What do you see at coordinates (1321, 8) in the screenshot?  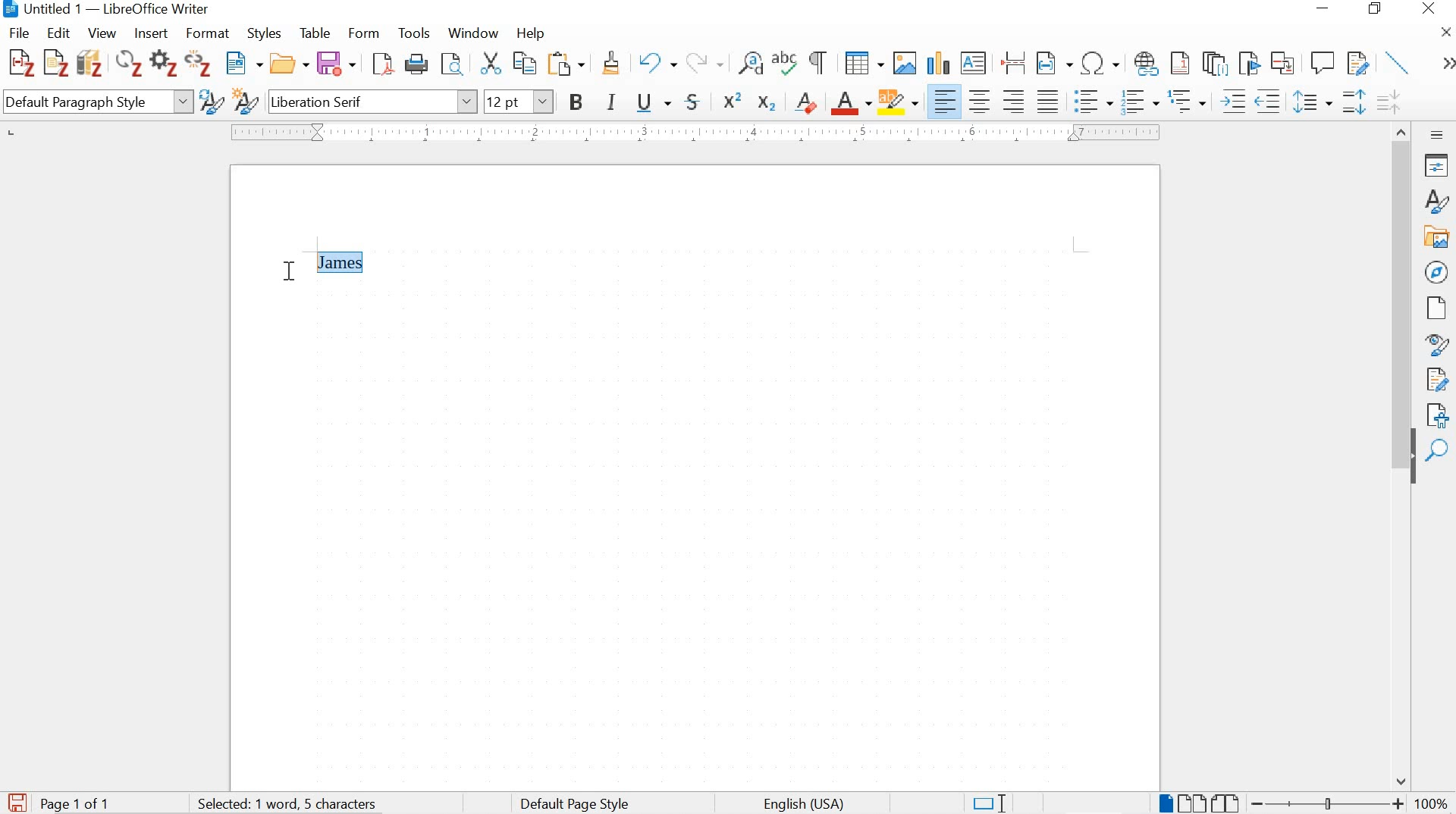 I see `minimize` at bounding box center [1321, 8].